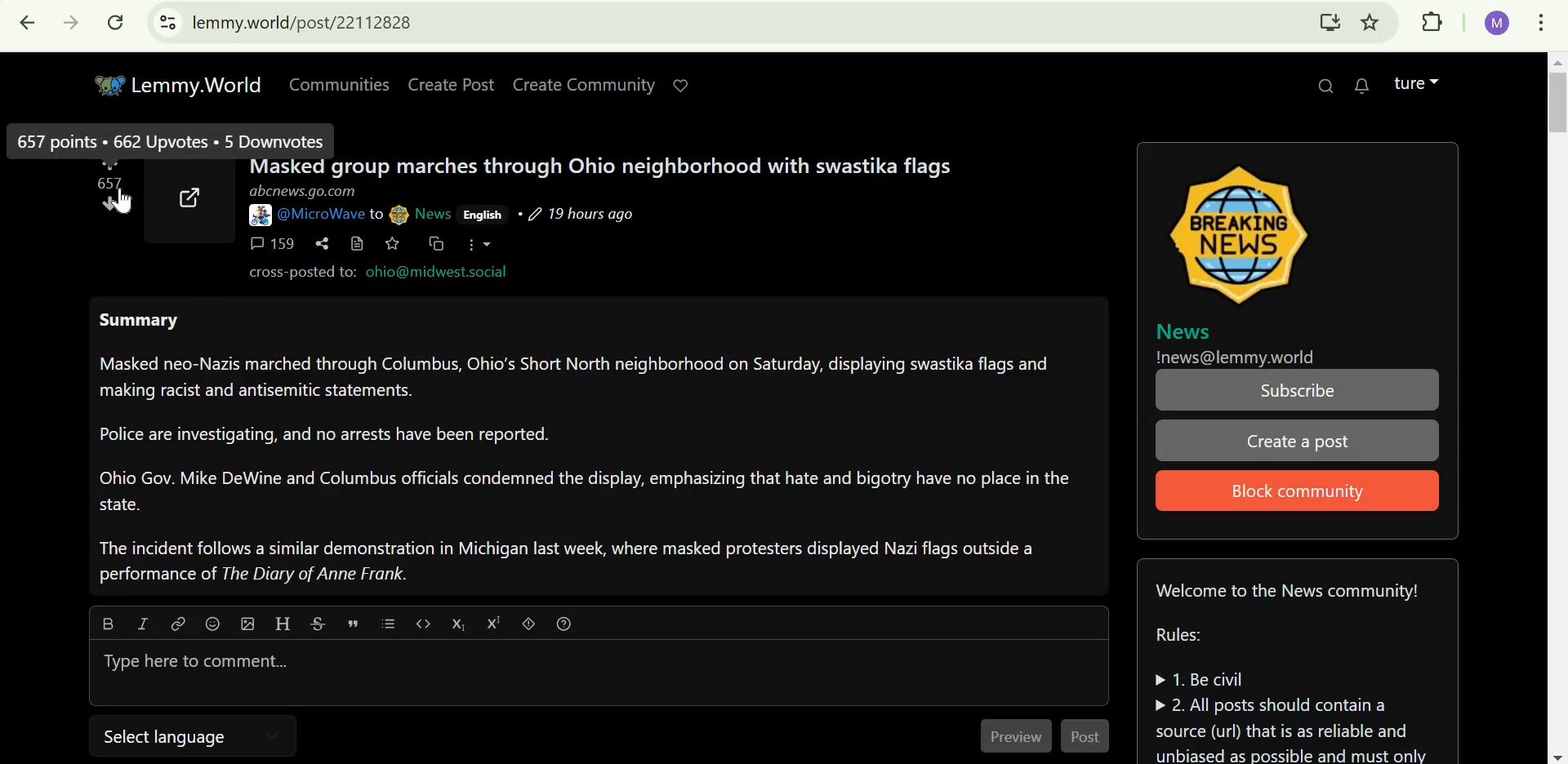  I want to click on Post, so click(1091, 736).